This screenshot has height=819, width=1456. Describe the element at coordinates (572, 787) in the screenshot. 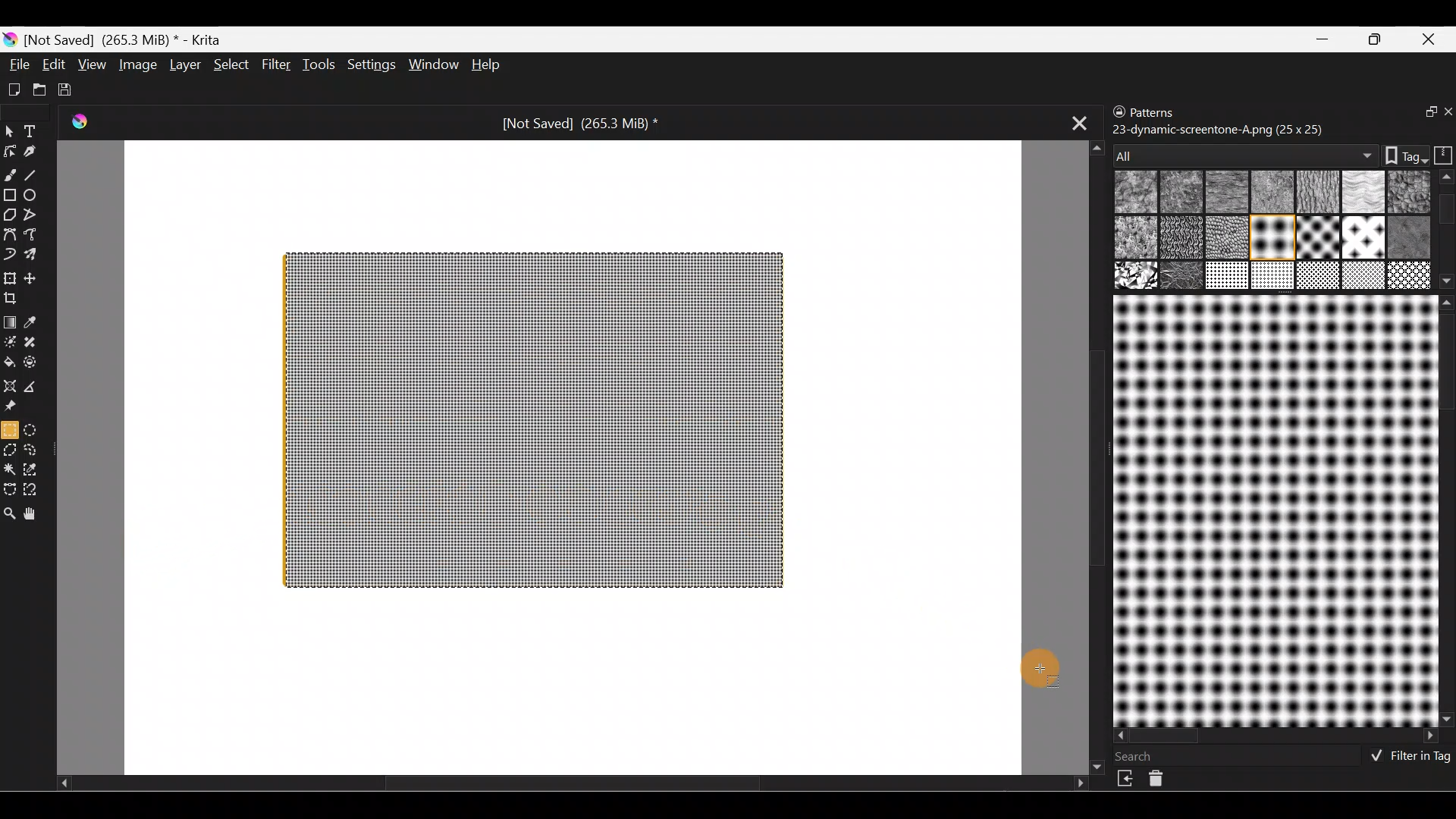

I see `Scroll tab` at that location.